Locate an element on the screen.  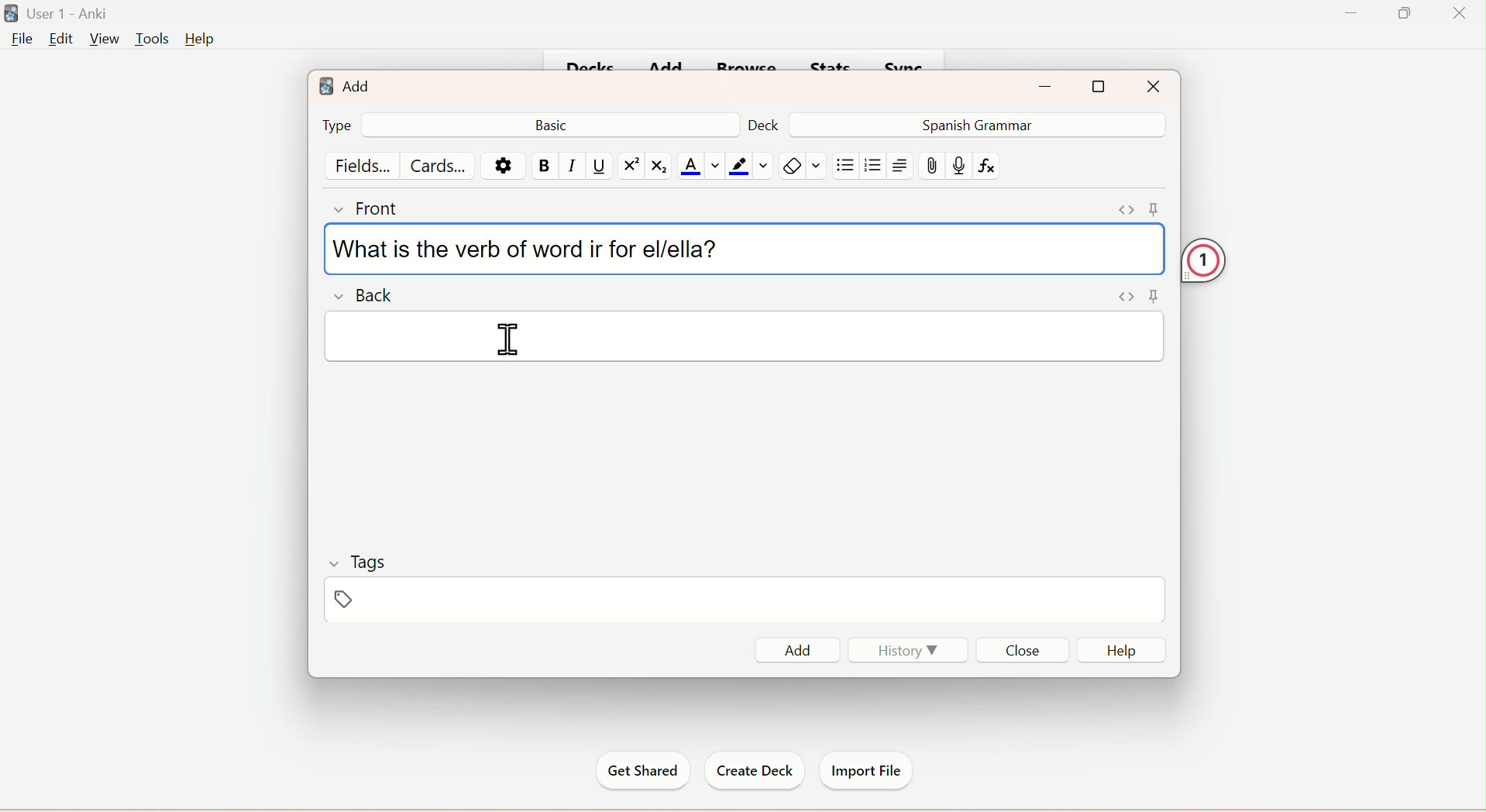
Close is located at coordinates (1152, 85).